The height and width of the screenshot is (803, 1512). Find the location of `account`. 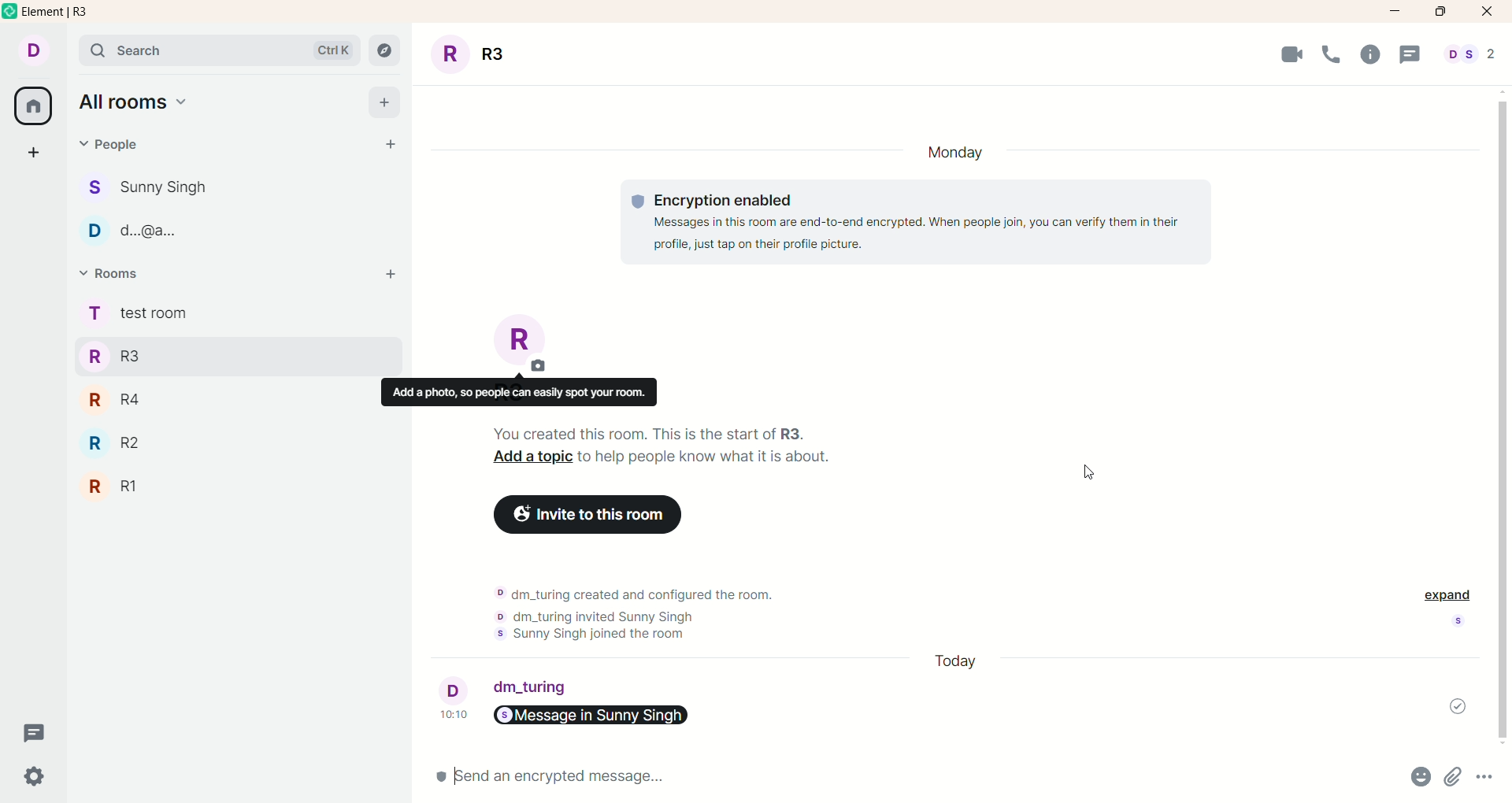

account is located at coordinates (35, 52).